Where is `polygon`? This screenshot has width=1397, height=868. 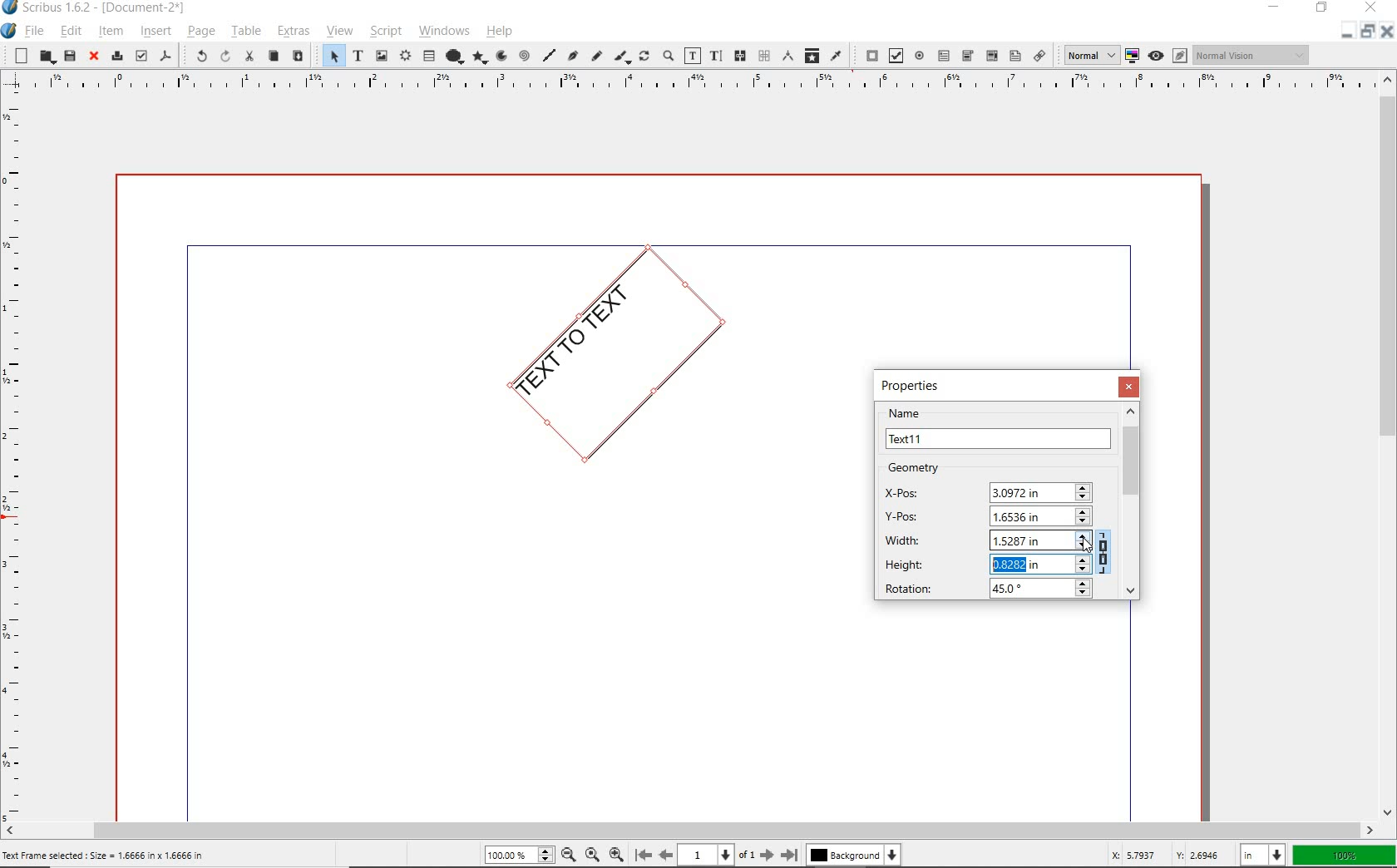
polygon is located at coordinates (480, 58).